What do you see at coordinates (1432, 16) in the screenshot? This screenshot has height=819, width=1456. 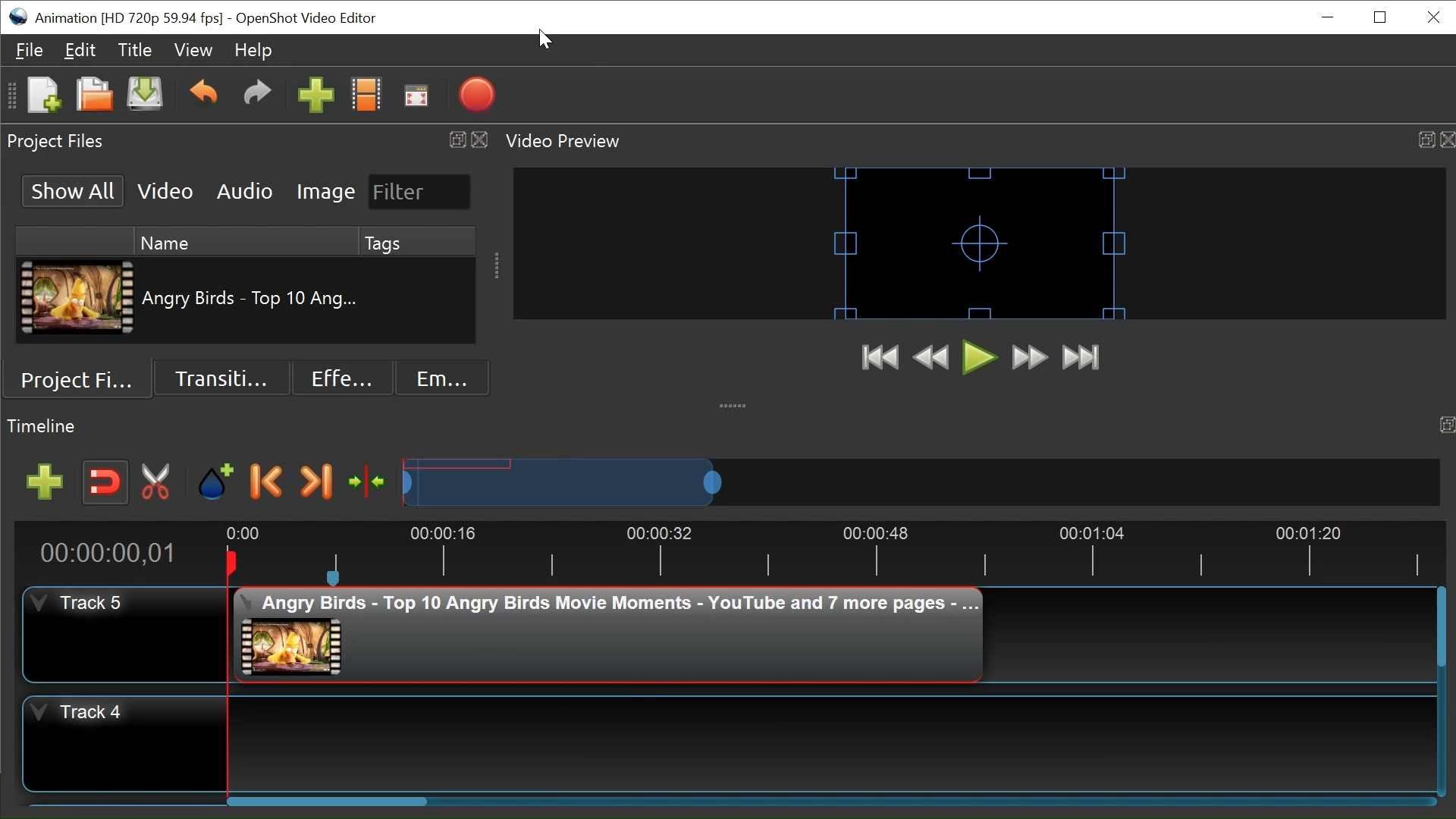 I see `Close` at bounding box center [1432, 16].